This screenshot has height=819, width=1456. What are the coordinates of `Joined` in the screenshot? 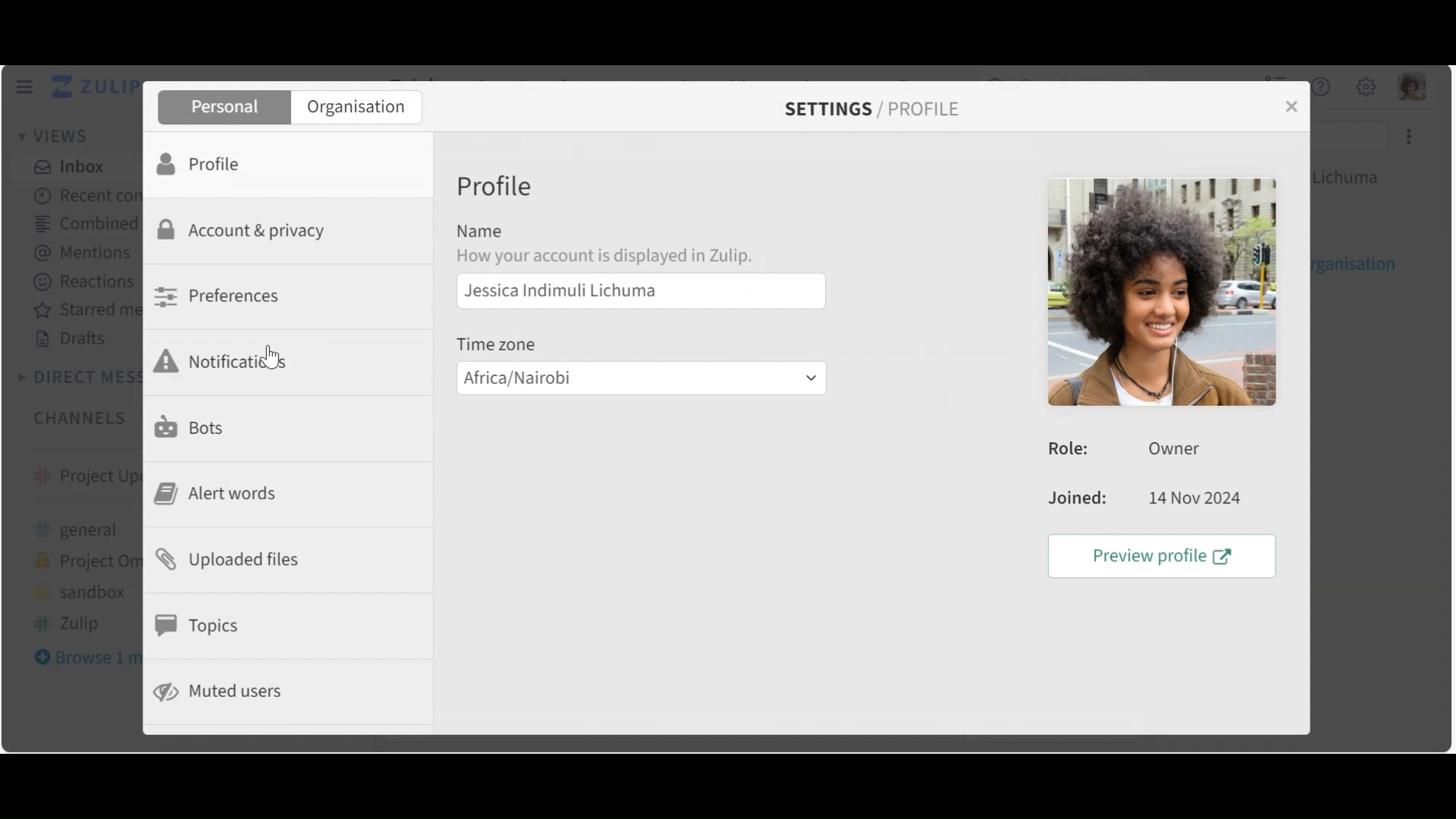 It's located at (1143, 500).